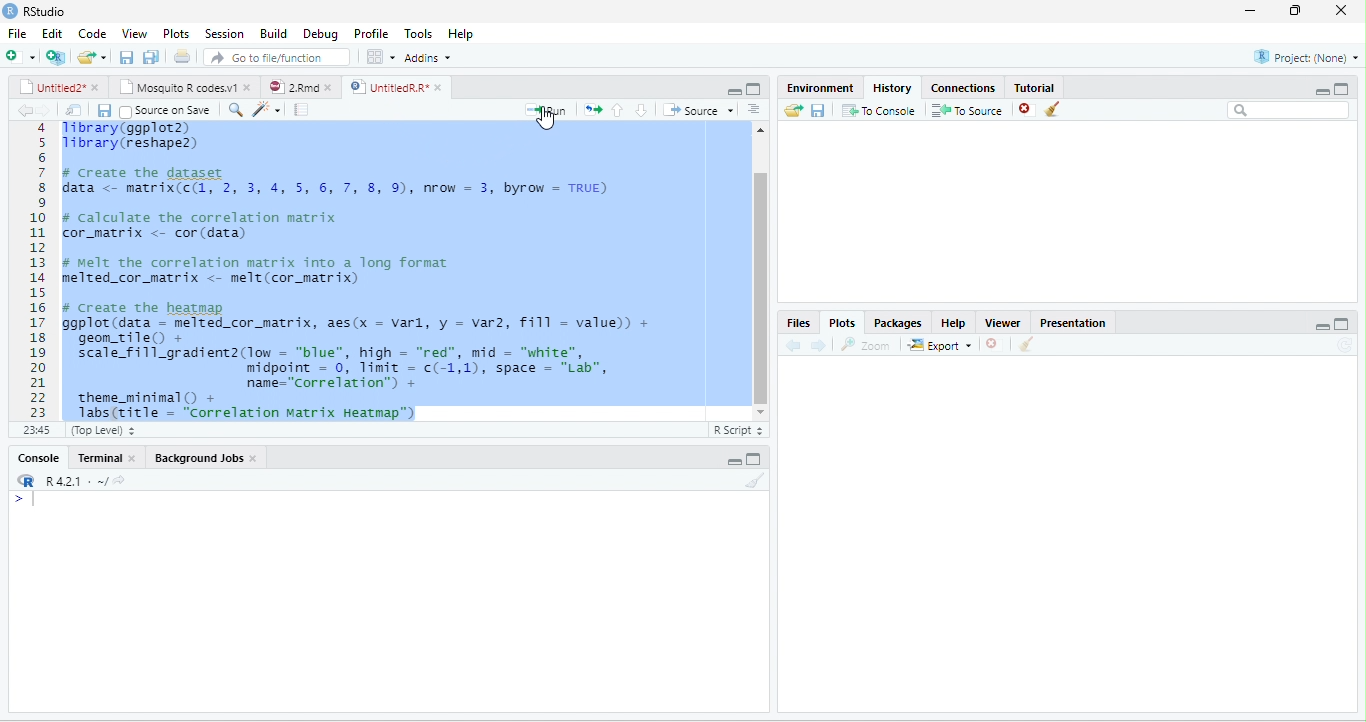  Describe the element at coordinates (755, 459) in the screenshot. I see `maximize` at that location.